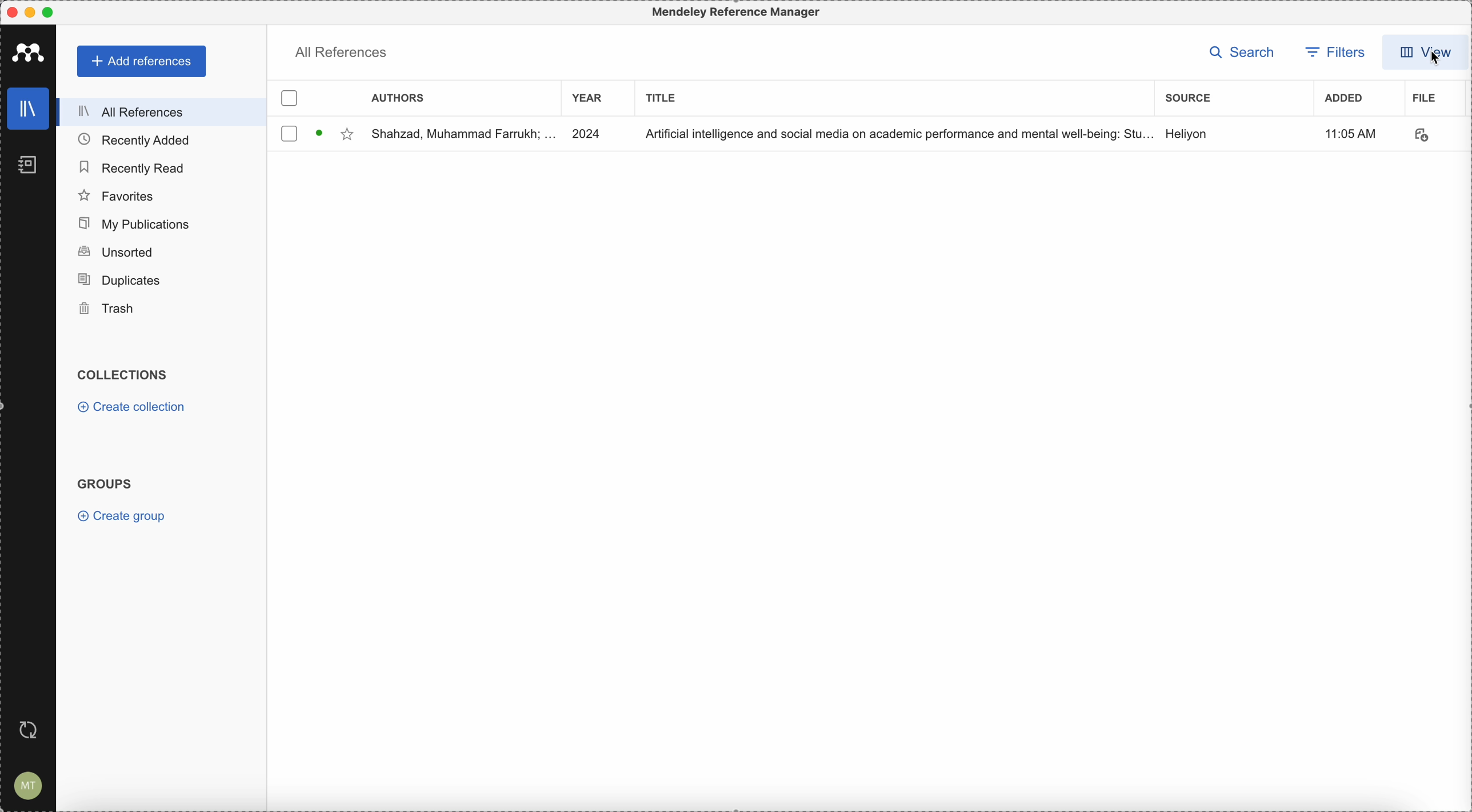 The image size is (1472, 812). What do you see at coordinates (1188, 99) in the screenshot?
I see `source` at bounding box center [1188, 99].